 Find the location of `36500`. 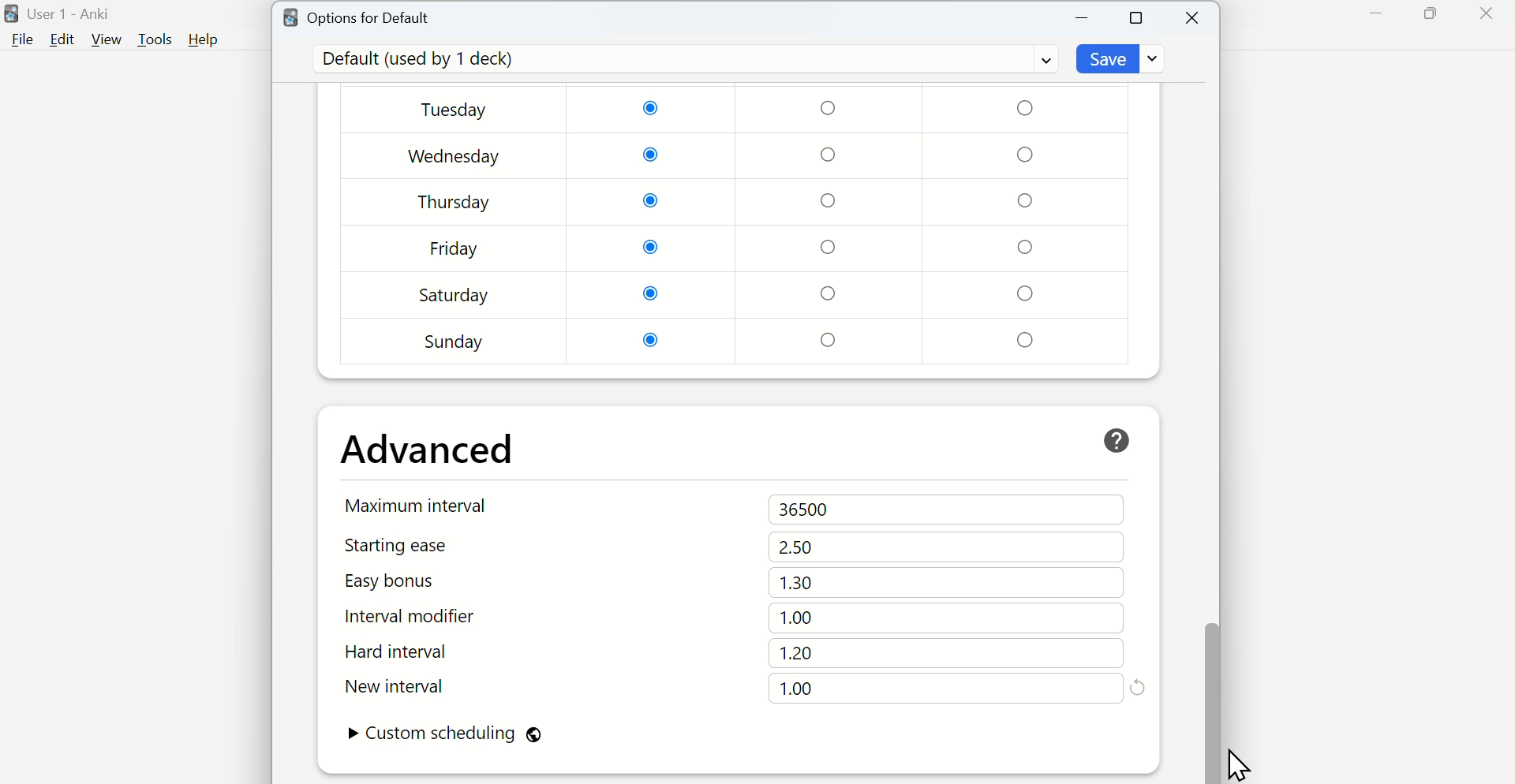

36500 is located at coordinates (808, 510).